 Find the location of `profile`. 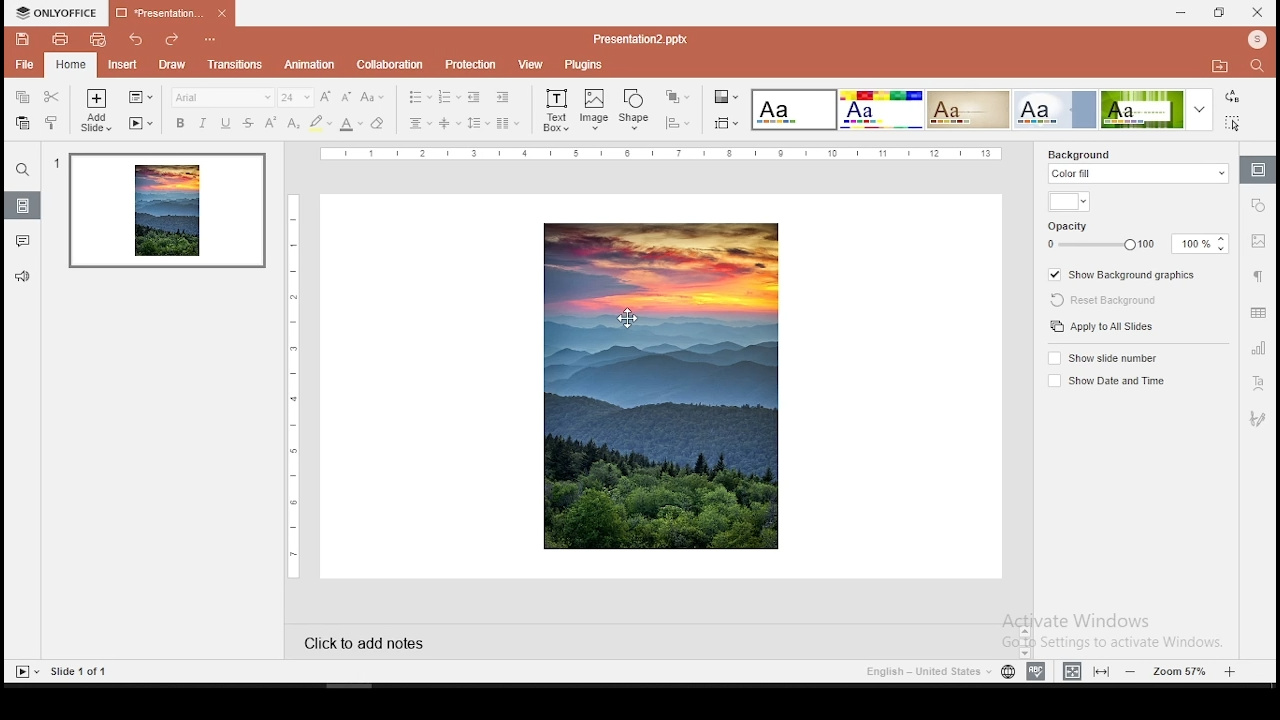

profile is located at coordinates (1255, 40).